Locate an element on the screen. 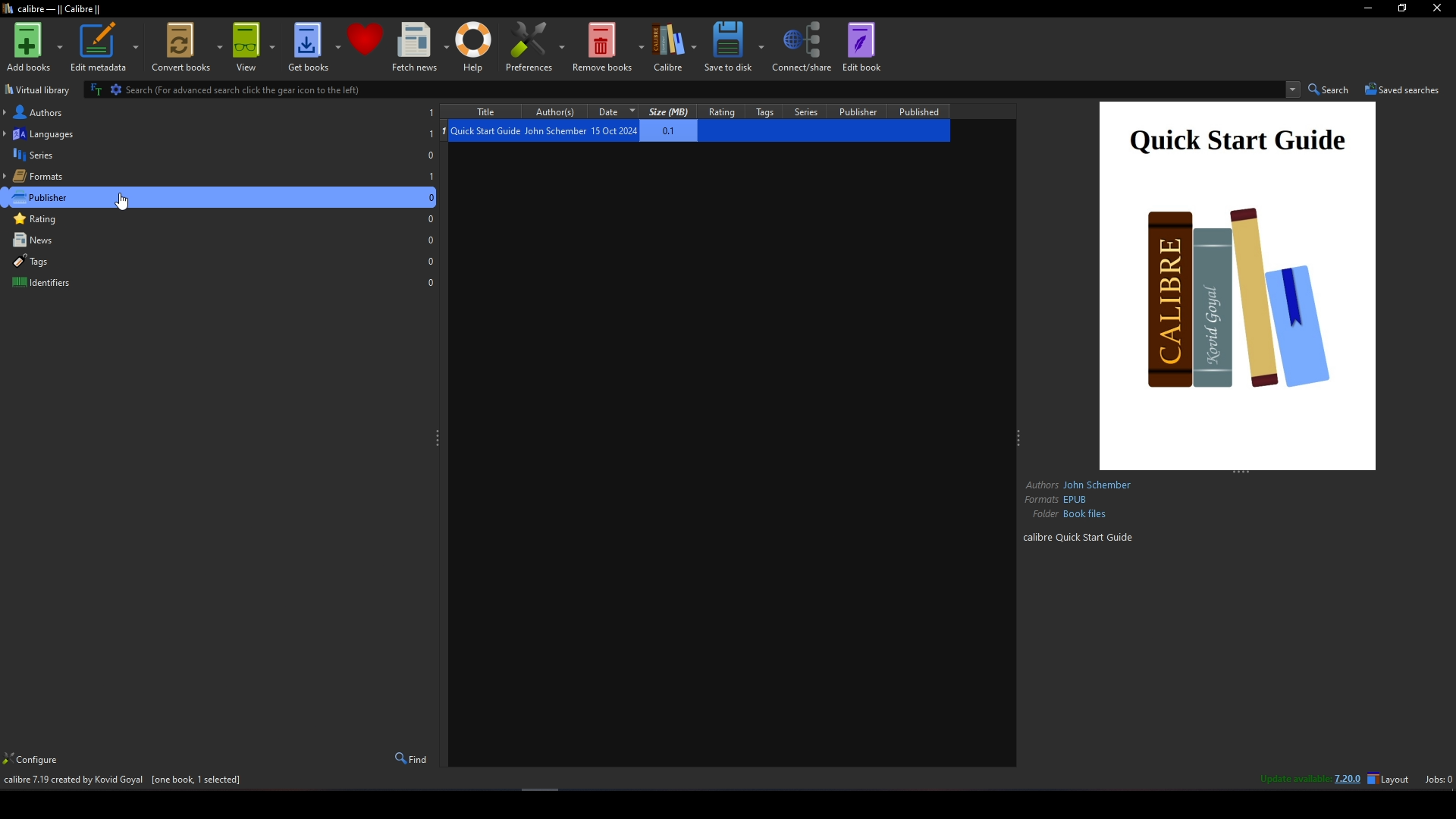 This screenshot has width=1456, height=819. Close is located at coordinates (1436, 9).